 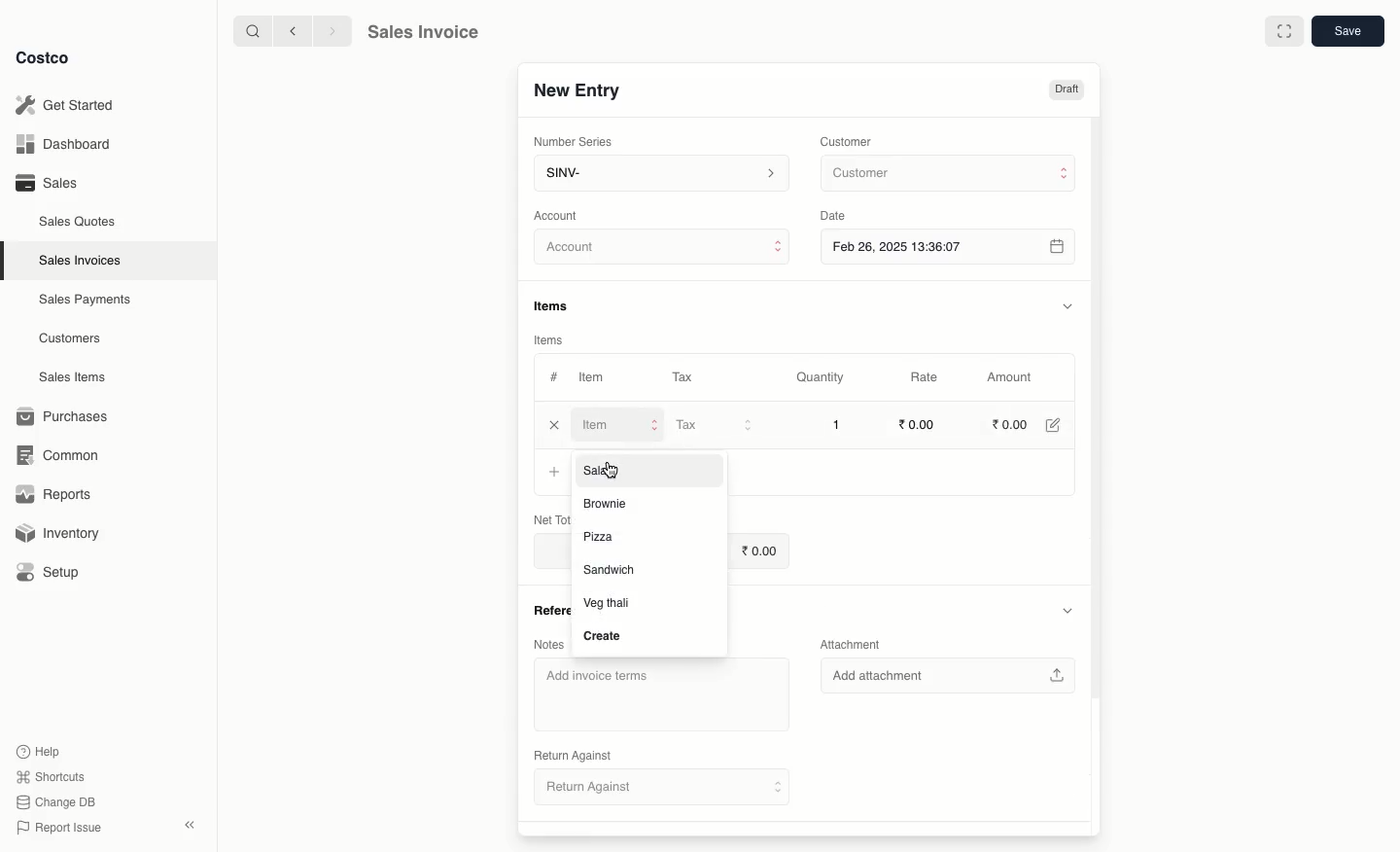 I want to click on 0.00, so click(x=920, y=423).